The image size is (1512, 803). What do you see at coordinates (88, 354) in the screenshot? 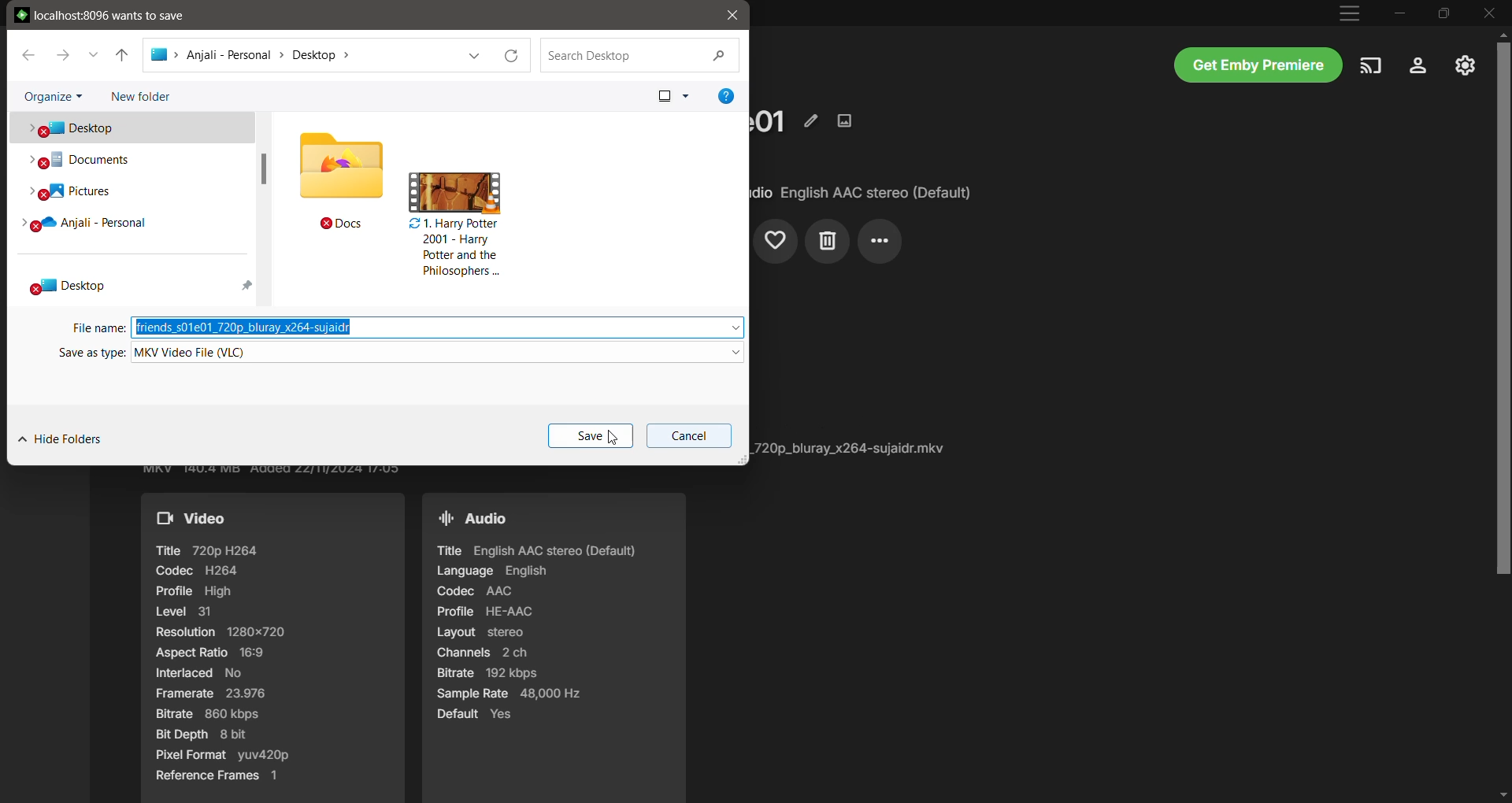
I see `Save as Type` at bounding box center [88, 354].